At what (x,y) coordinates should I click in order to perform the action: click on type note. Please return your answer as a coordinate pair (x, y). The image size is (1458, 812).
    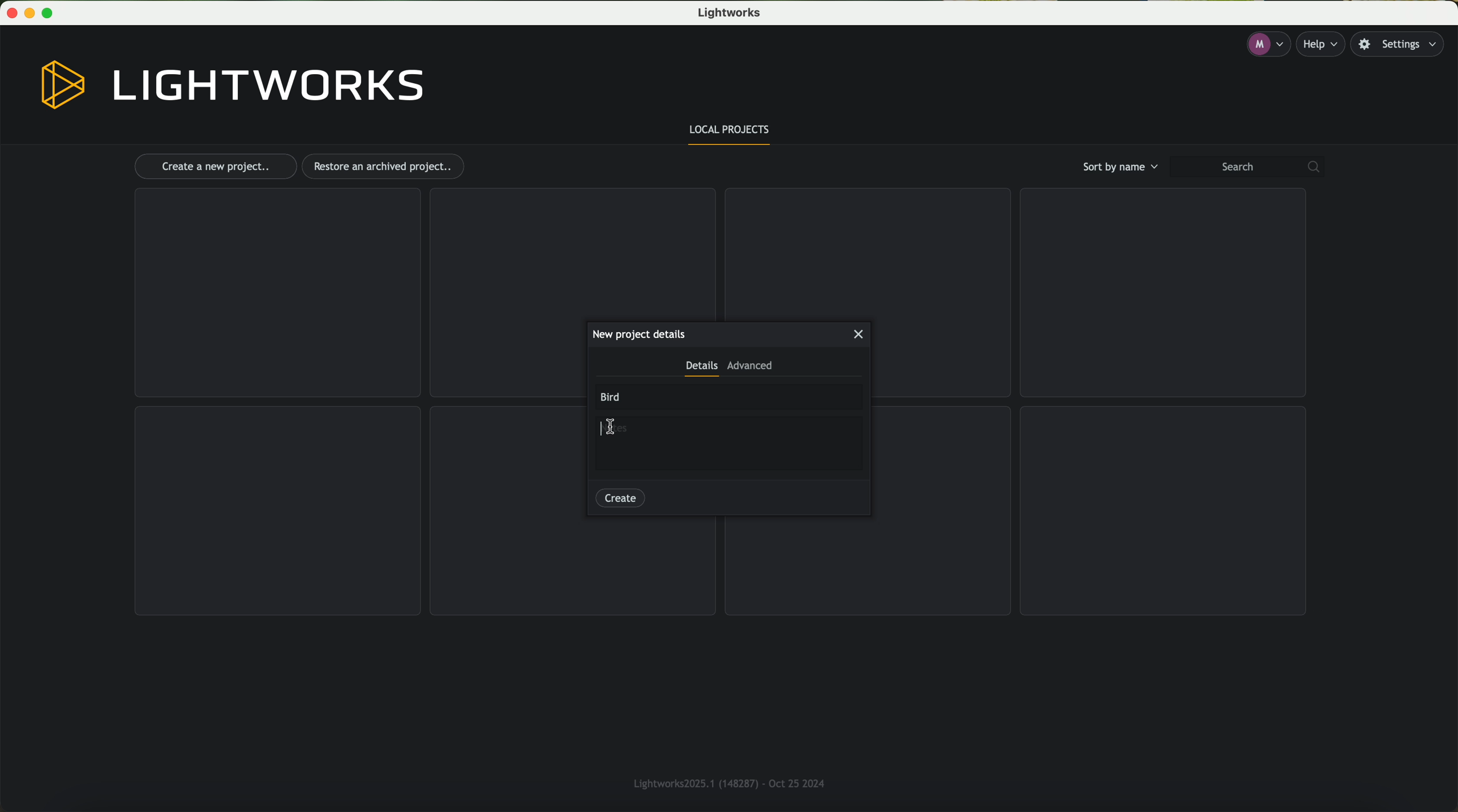
    Looking at the image, I should click on (620, 431).